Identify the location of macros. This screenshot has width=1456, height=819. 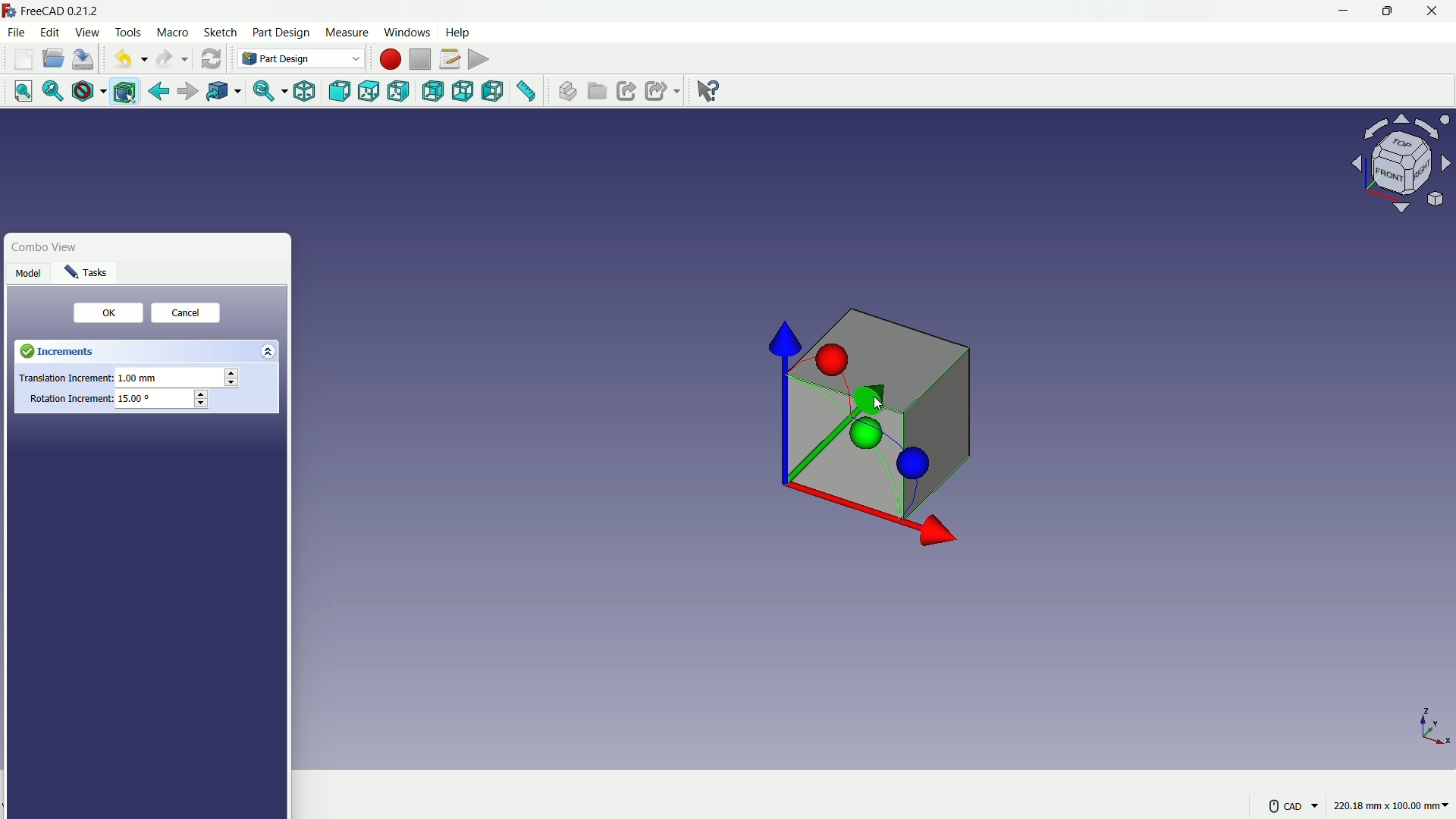
(449, 58).